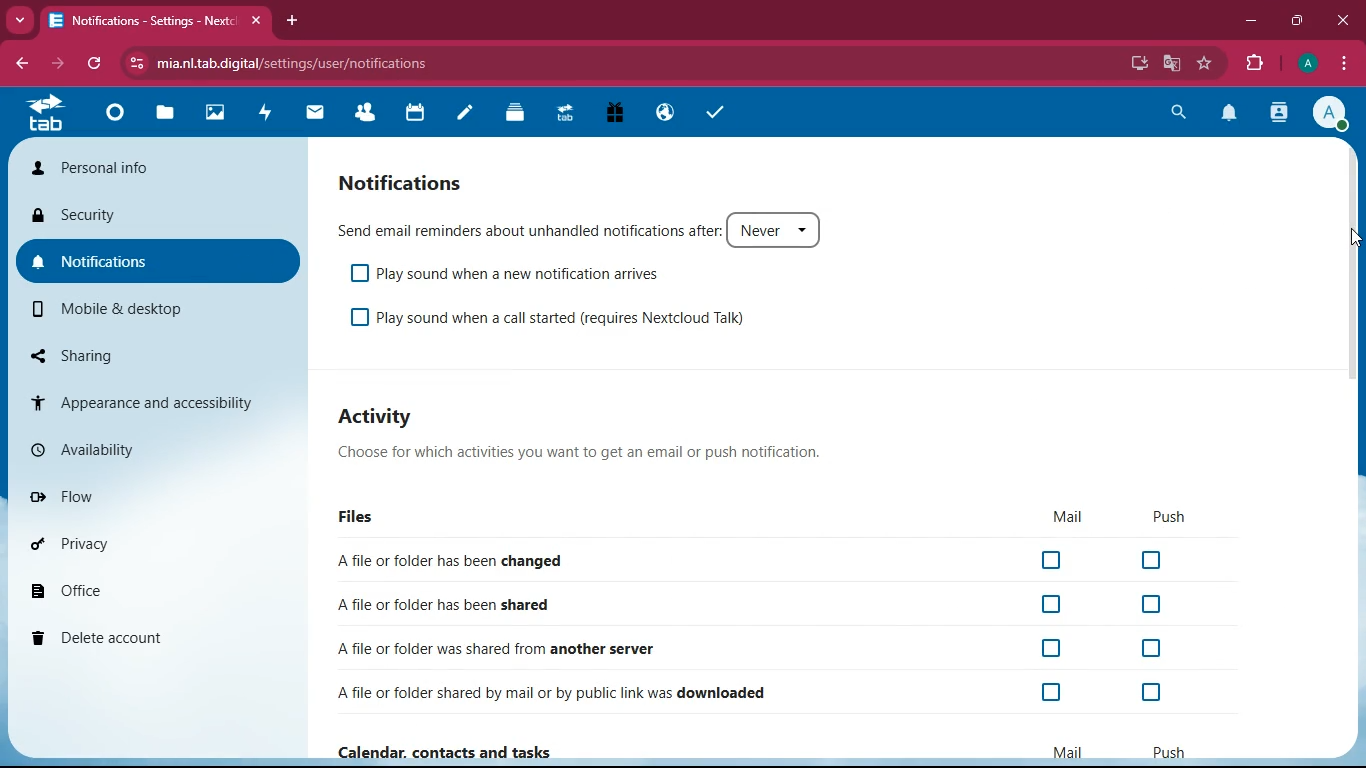 Image resolution: width=1366 pixels, height=768 pixels. Describe the element at coordinates (216, 114) in the screenshot. I see `Photos` at that location.